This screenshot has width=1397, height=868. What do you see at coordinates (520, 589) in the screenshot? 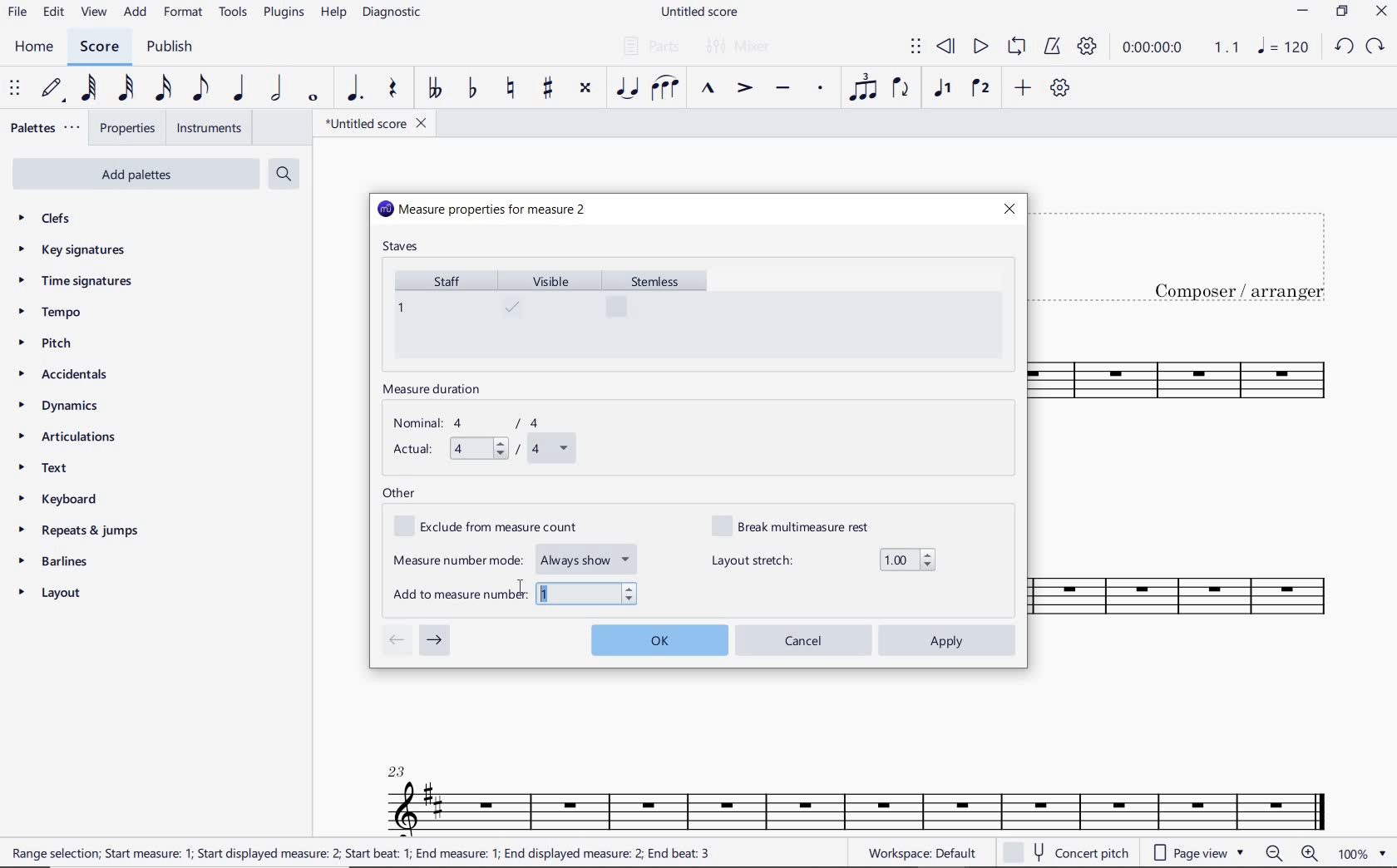
I see `cursor` at bounding box center [520, 589].